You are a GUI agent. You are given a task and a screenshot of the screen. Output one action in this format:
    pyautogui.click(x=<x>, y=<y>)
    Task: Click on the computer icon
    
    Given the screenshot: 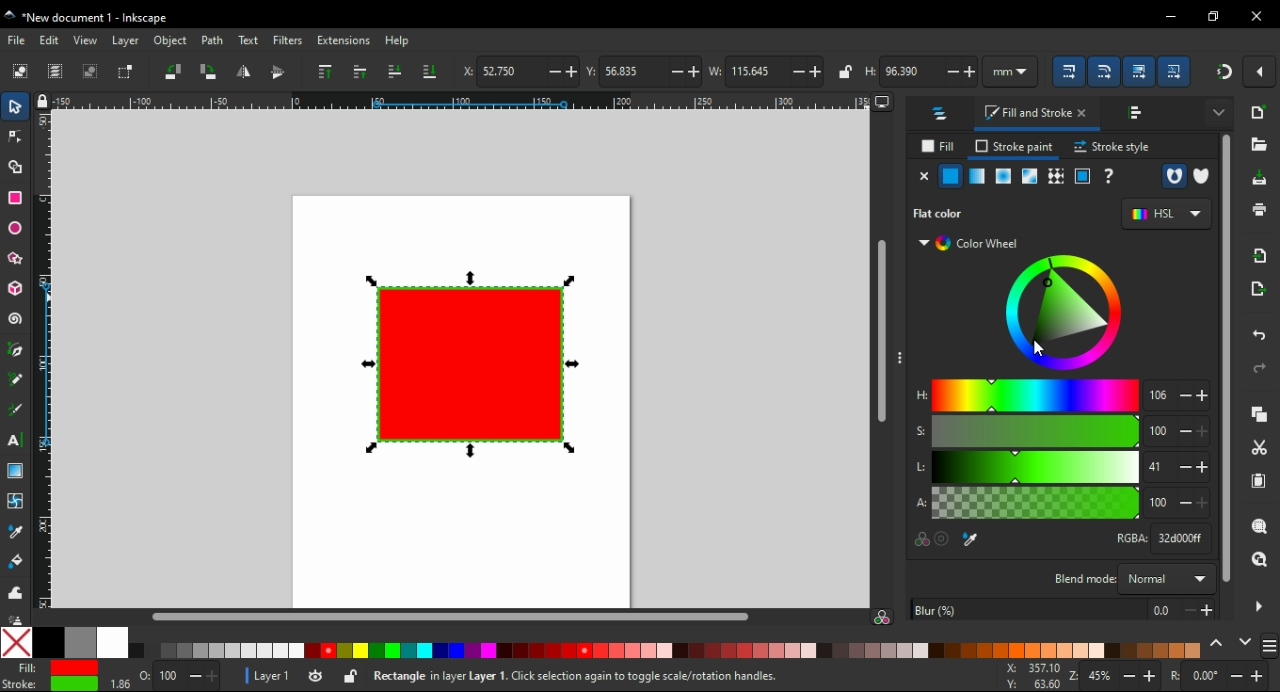 What is the action you would take?
    pyautogui.click(x=882, y=103)
    